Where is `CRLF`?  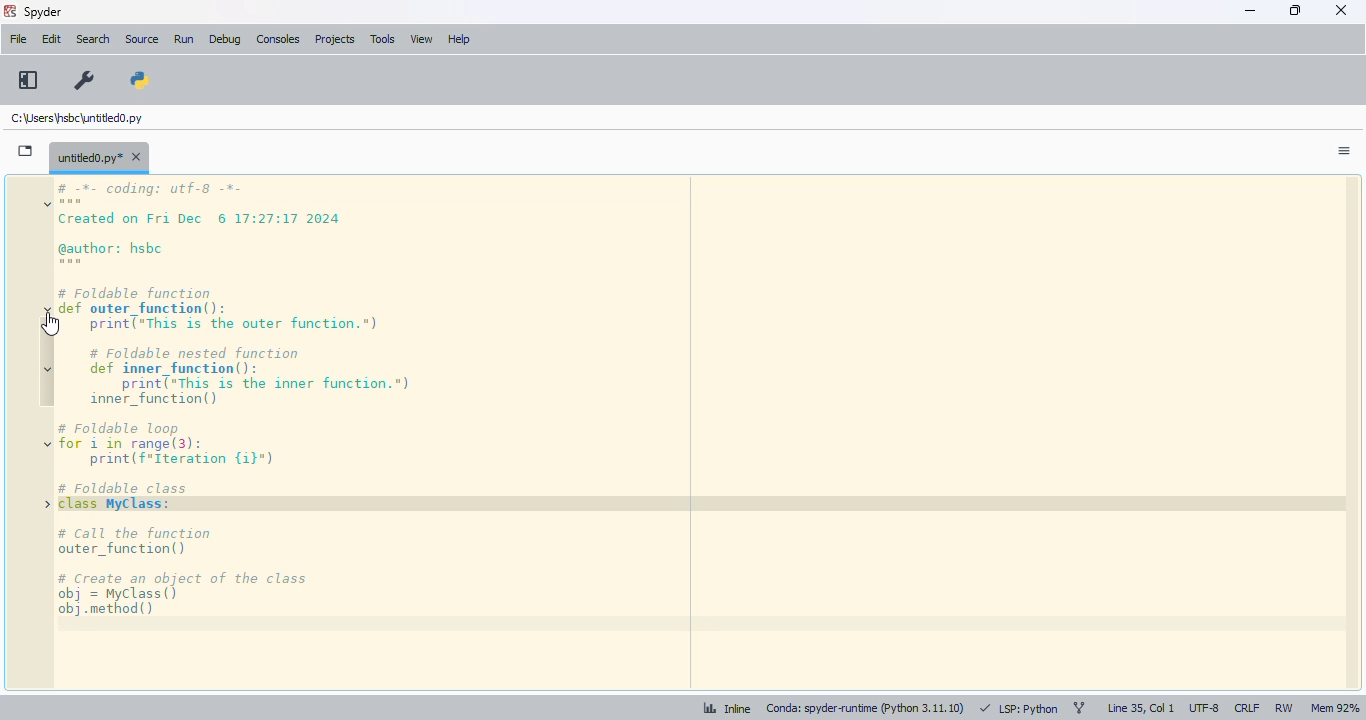
CRLF is located at coordinates (1246, 709).